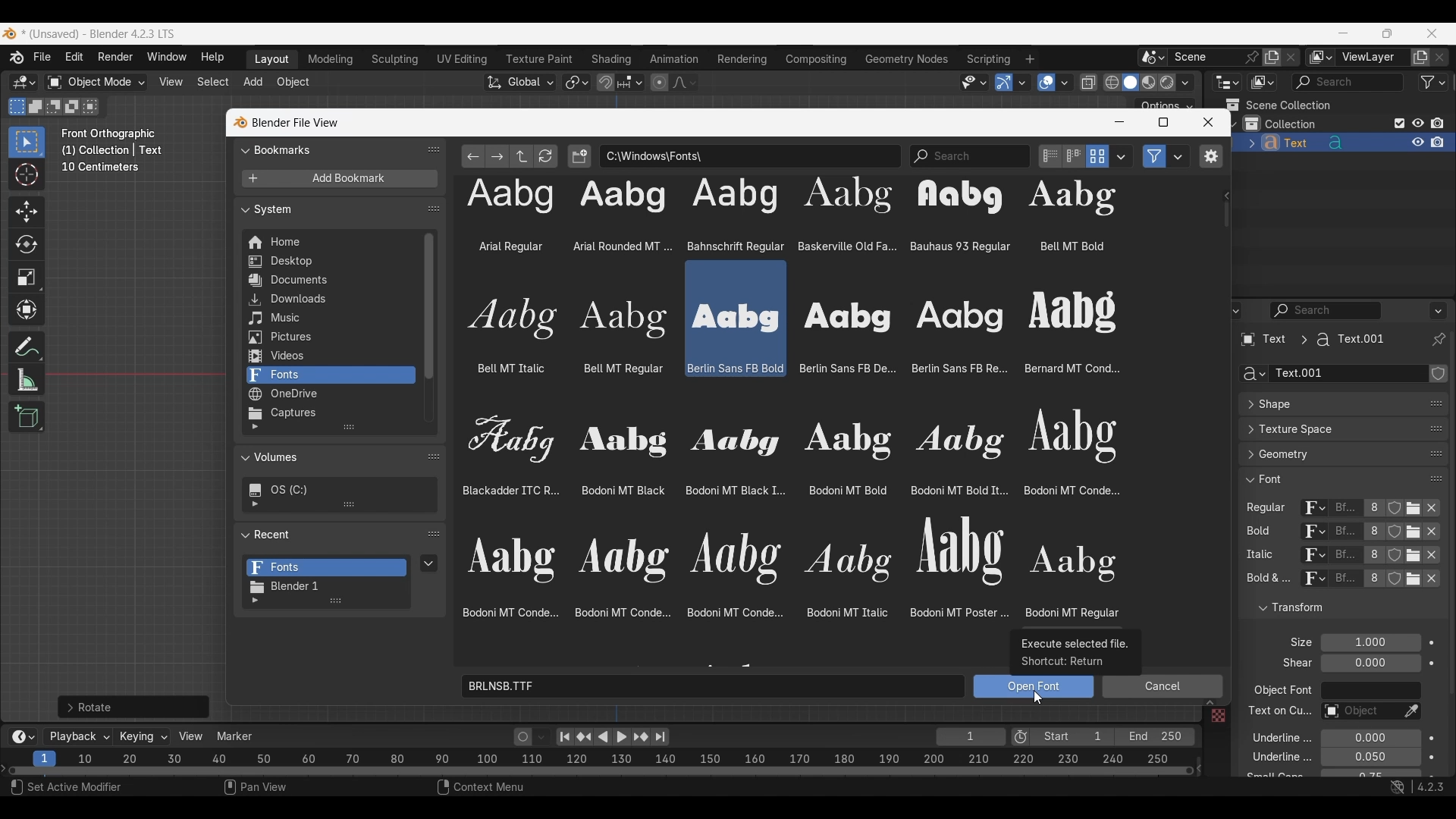  Describe the element at coordinates (711, 686) in the screenshot. I see `Name of selected font ` at that location.